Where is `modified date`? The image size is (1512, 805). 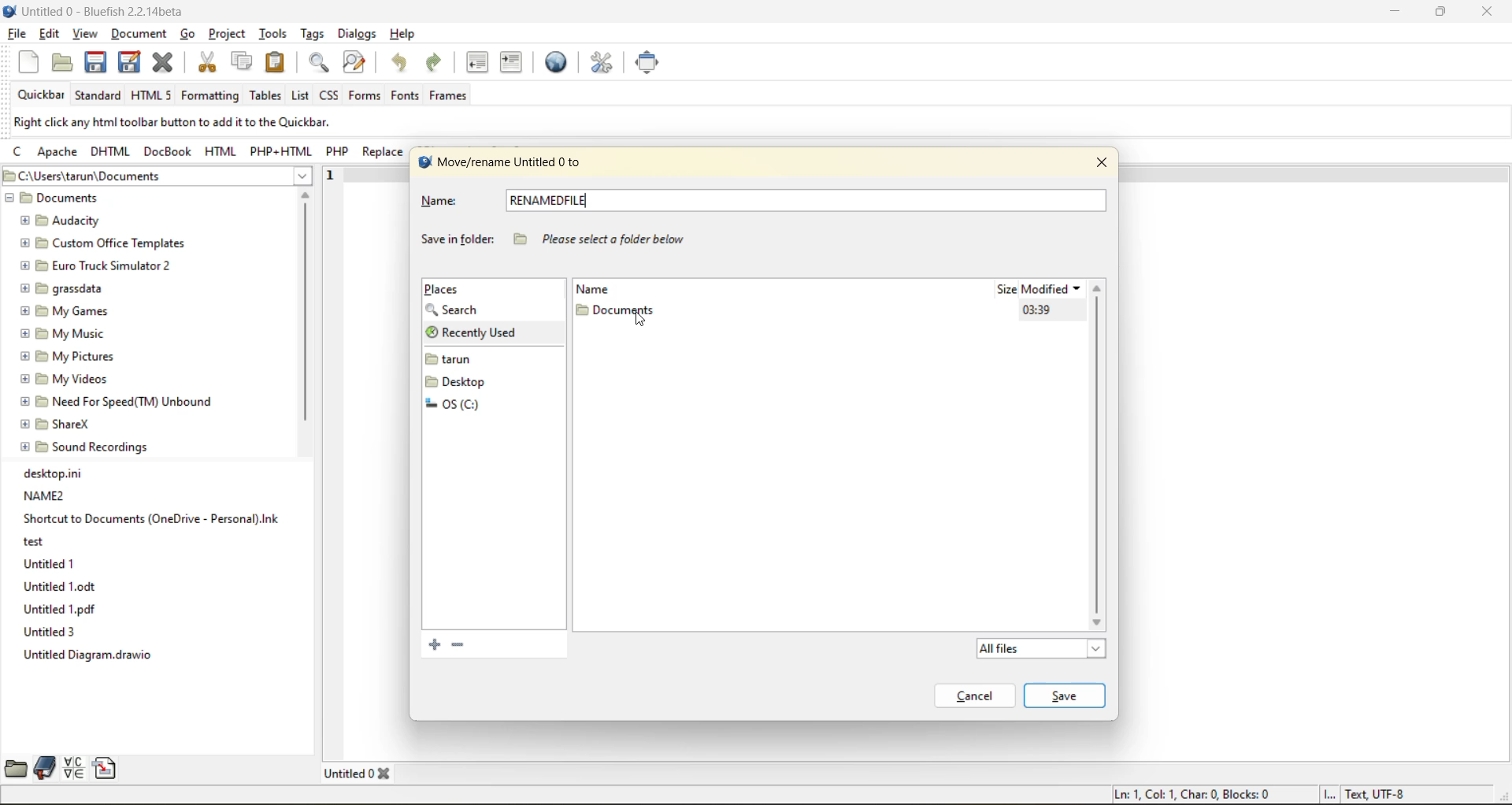
modified date is located at coordinates (1054, 287).